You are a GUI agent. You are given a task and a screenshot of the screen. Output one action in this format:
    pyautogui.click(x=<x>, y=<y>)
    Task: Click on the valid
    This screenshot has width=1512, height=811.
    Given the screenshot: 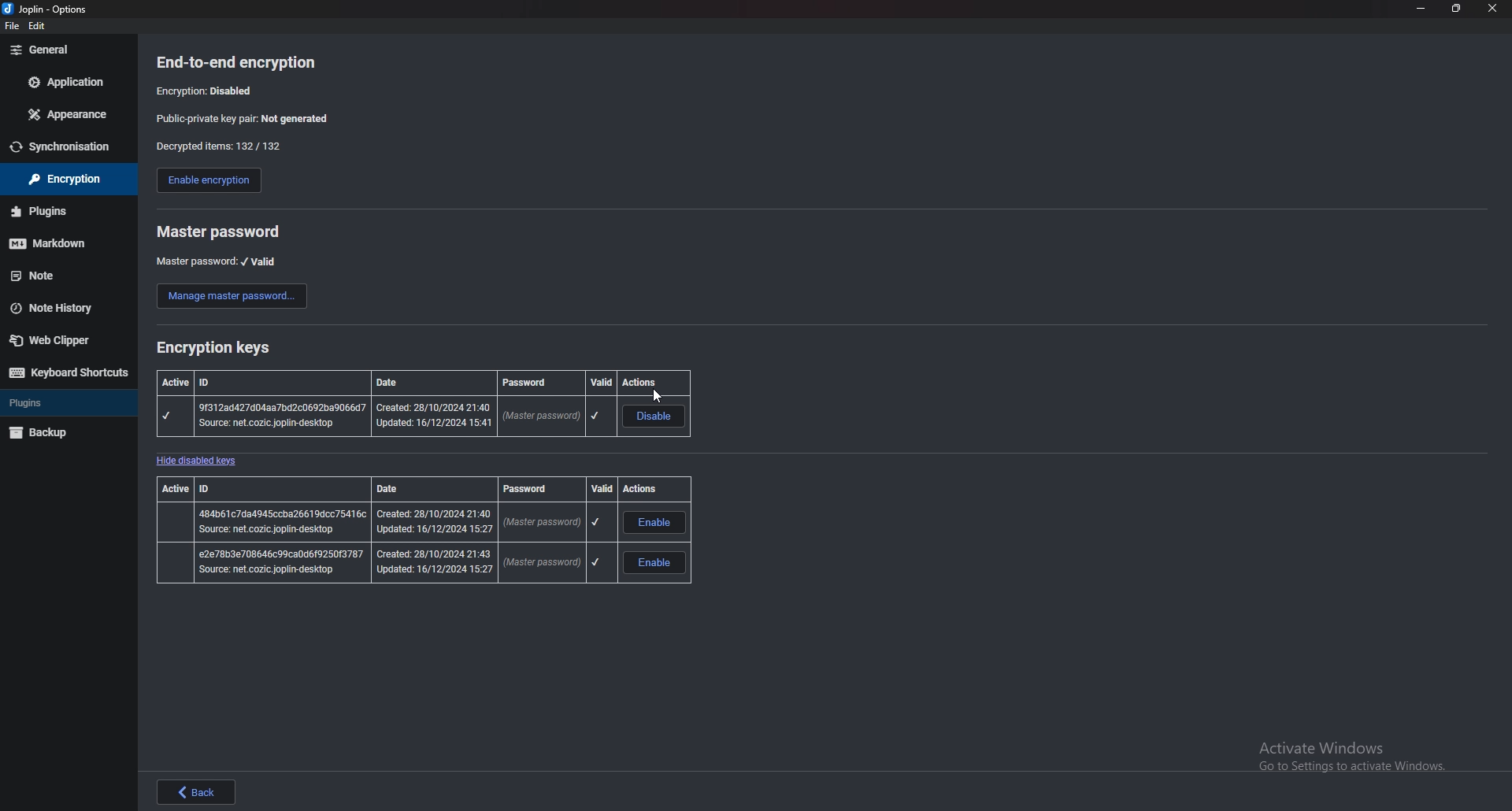 What is the action you would take?
    pyautogui.click(x=600, y=381)
    